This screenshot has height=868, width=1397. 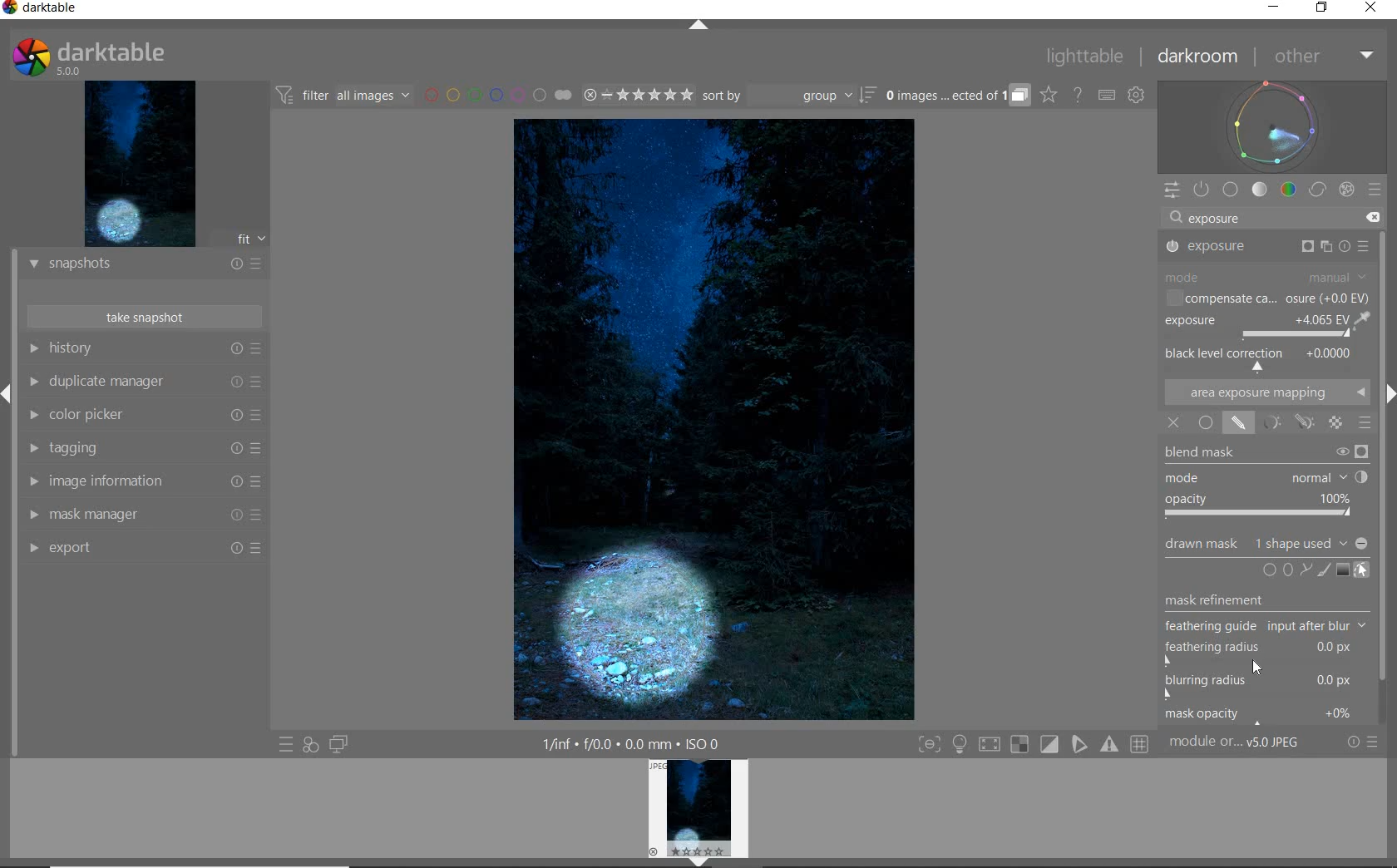 I want to click on COLOR PICKER, so click(x=144, y=417).